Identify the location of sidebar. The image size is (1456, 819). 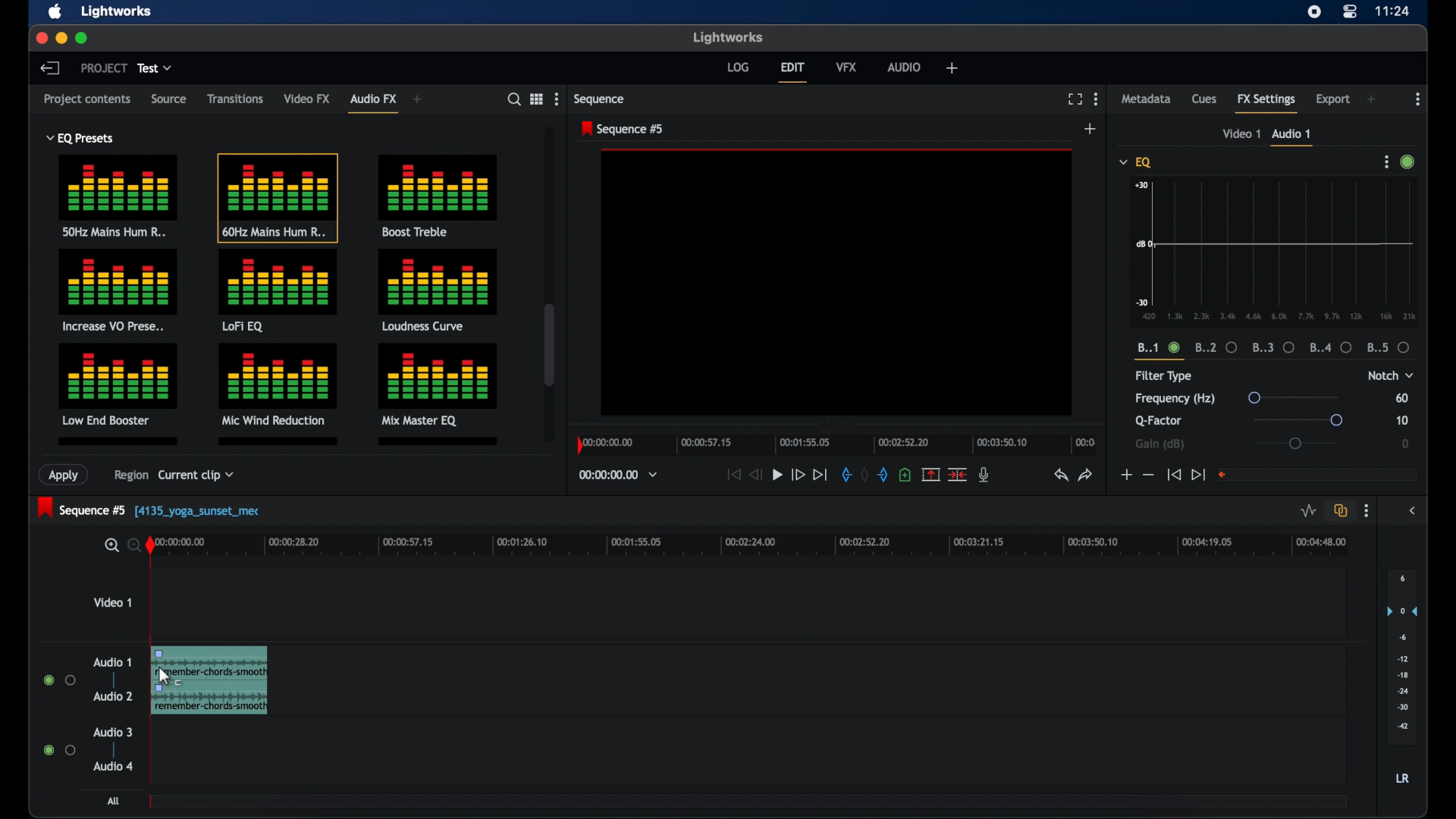
(1414, 510).